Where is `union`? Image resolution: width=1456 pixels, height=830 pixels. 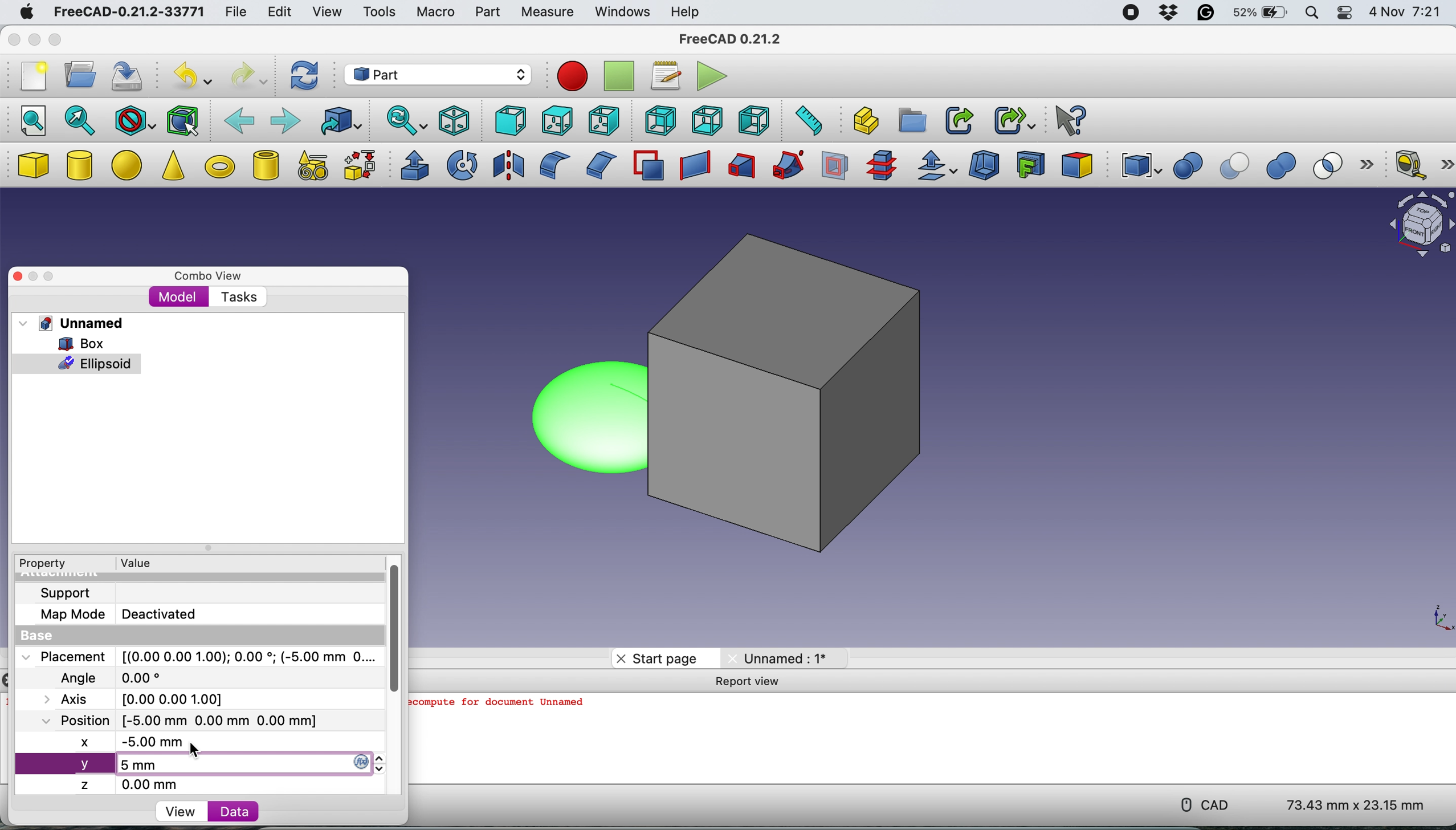 union is located at coordinates (1286, 166).